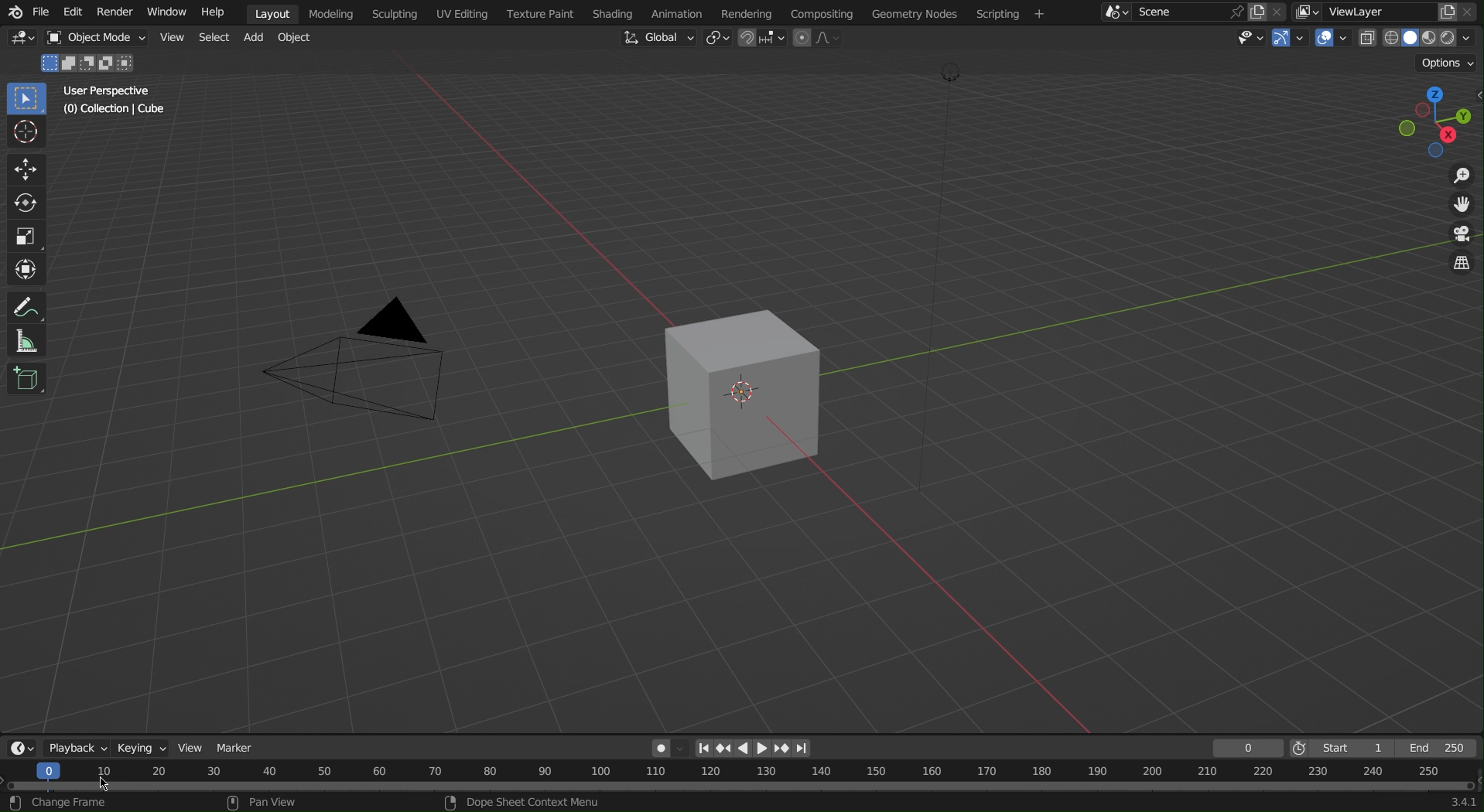  Describe the element at coordinates (661, 41) in the screenshot. I see `Global` at that location.